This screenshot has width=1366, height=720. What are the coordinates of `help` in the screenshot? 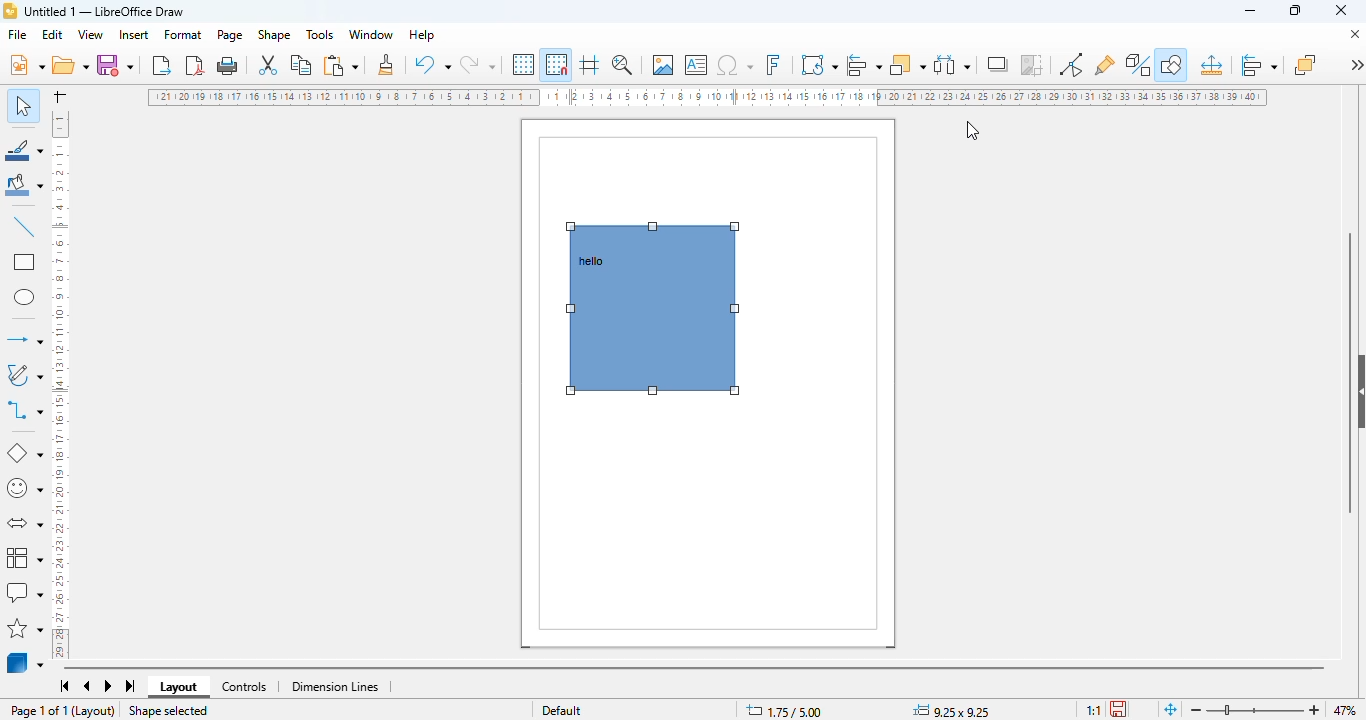 It's located at (423, 35).